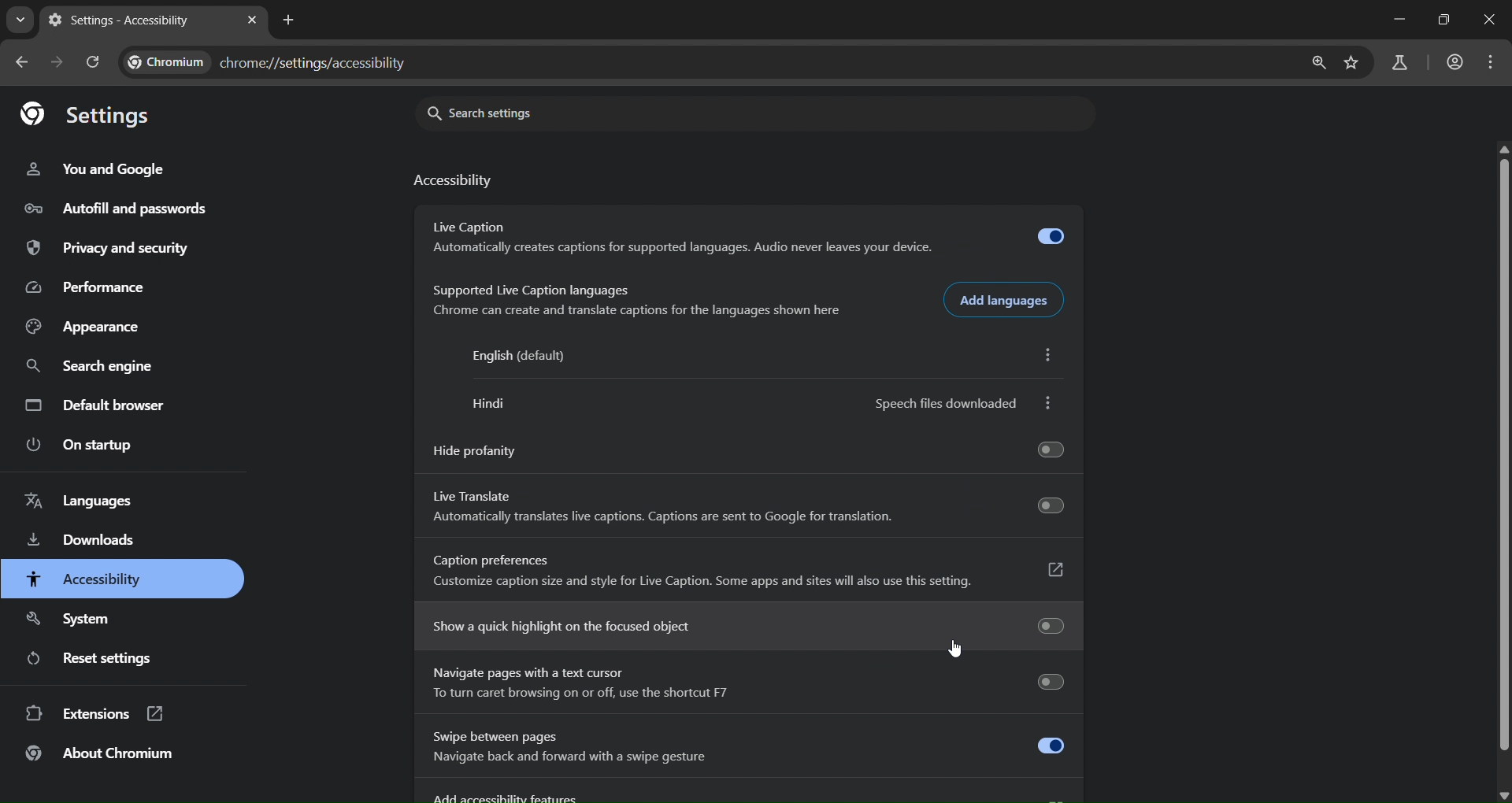  Describe the element at coordinates (533, 111) in the screenshot. I see `search settings` at that location.